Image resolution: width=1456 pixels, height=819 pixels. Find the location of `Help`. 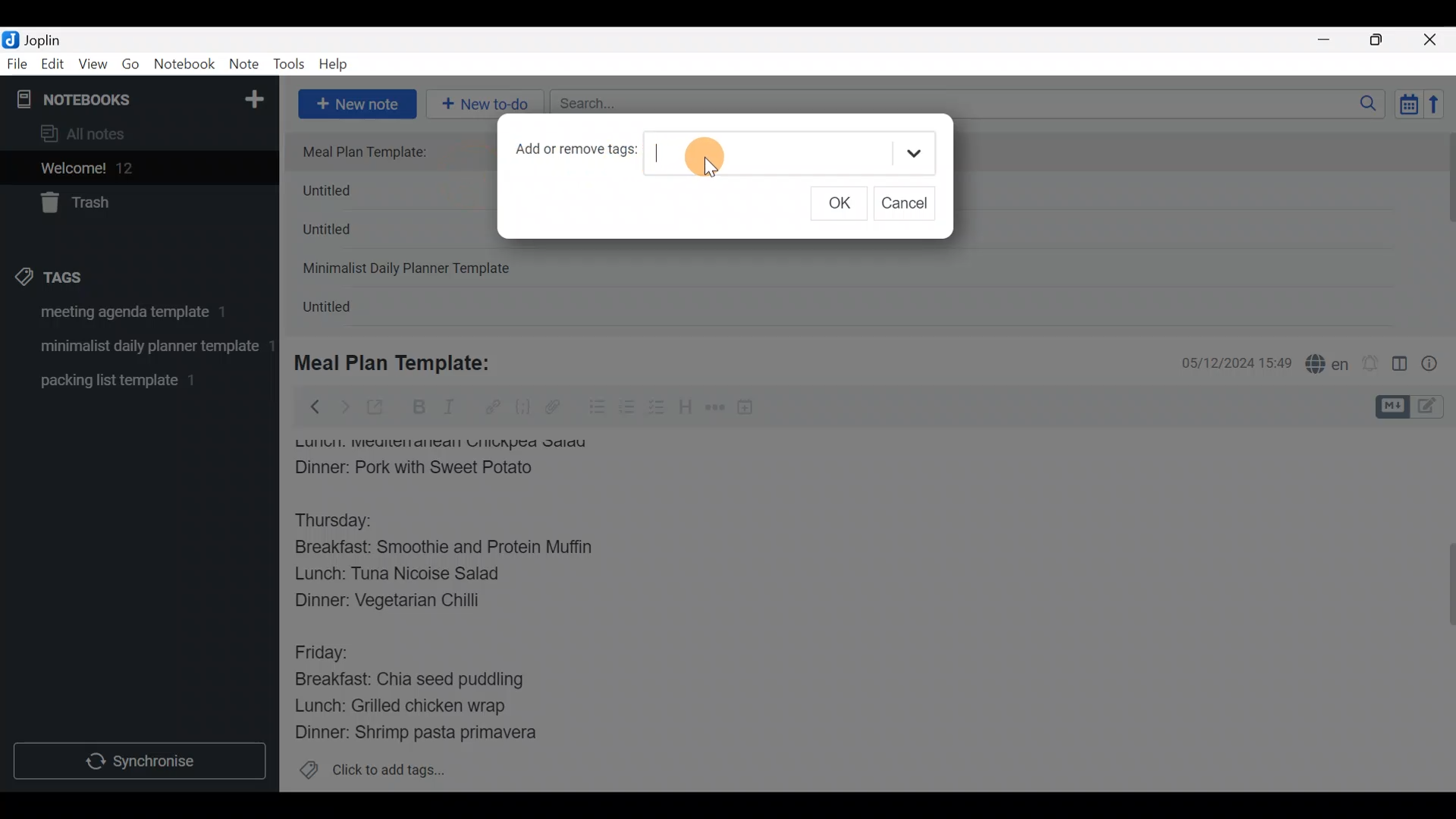

Help is located at coordinates (339, 61).